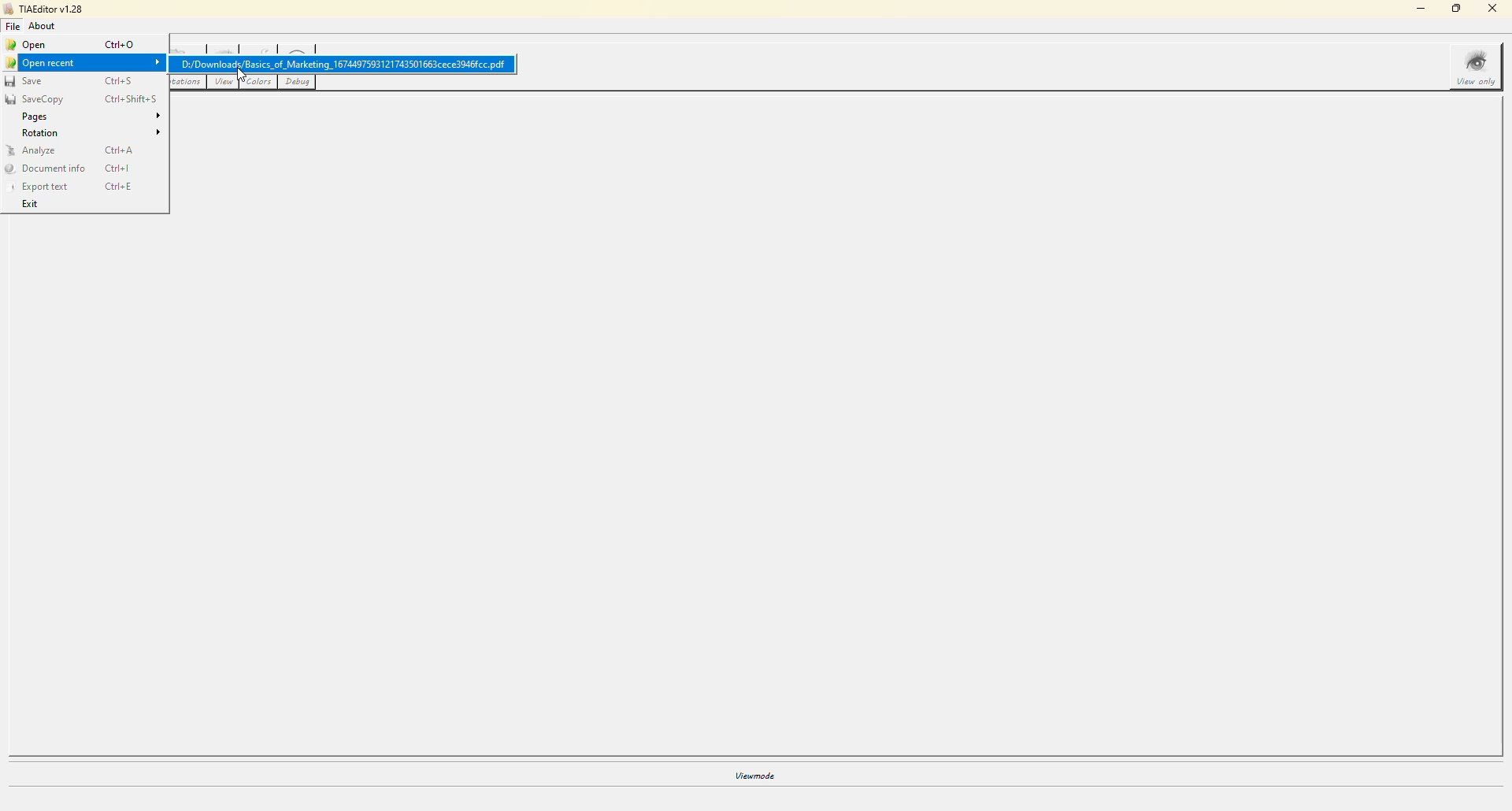 This screenshot has width=1512, height=811. Describe the element at coordinates (27, 45) in the screenshot. I see `open` at that location.